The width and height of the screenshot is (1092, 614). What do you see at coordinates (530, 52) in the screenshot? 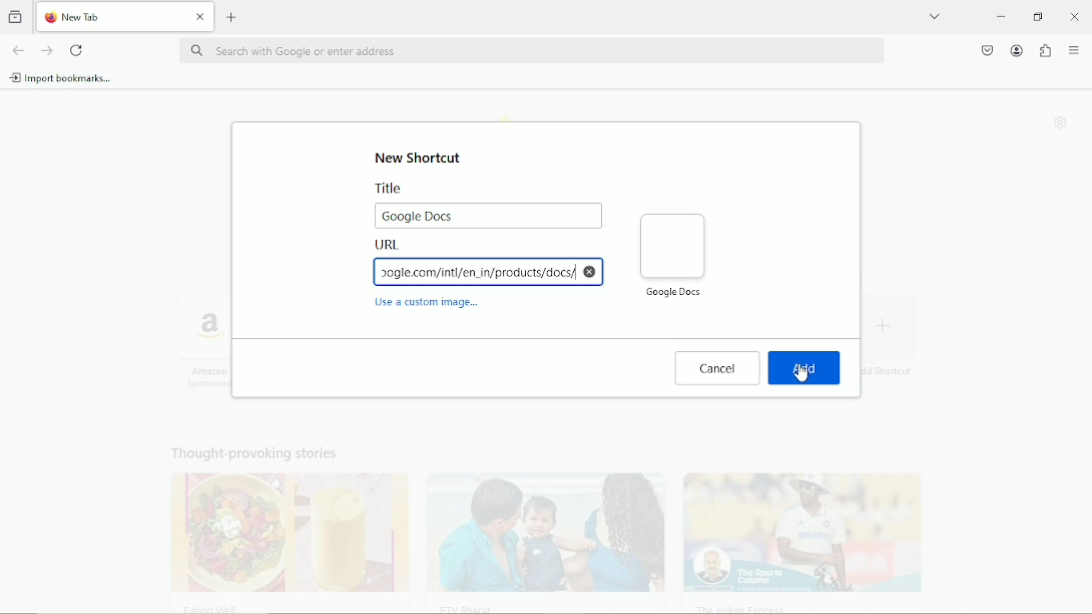
I see `search with Google or enter address` at bounding box center [530, 52].